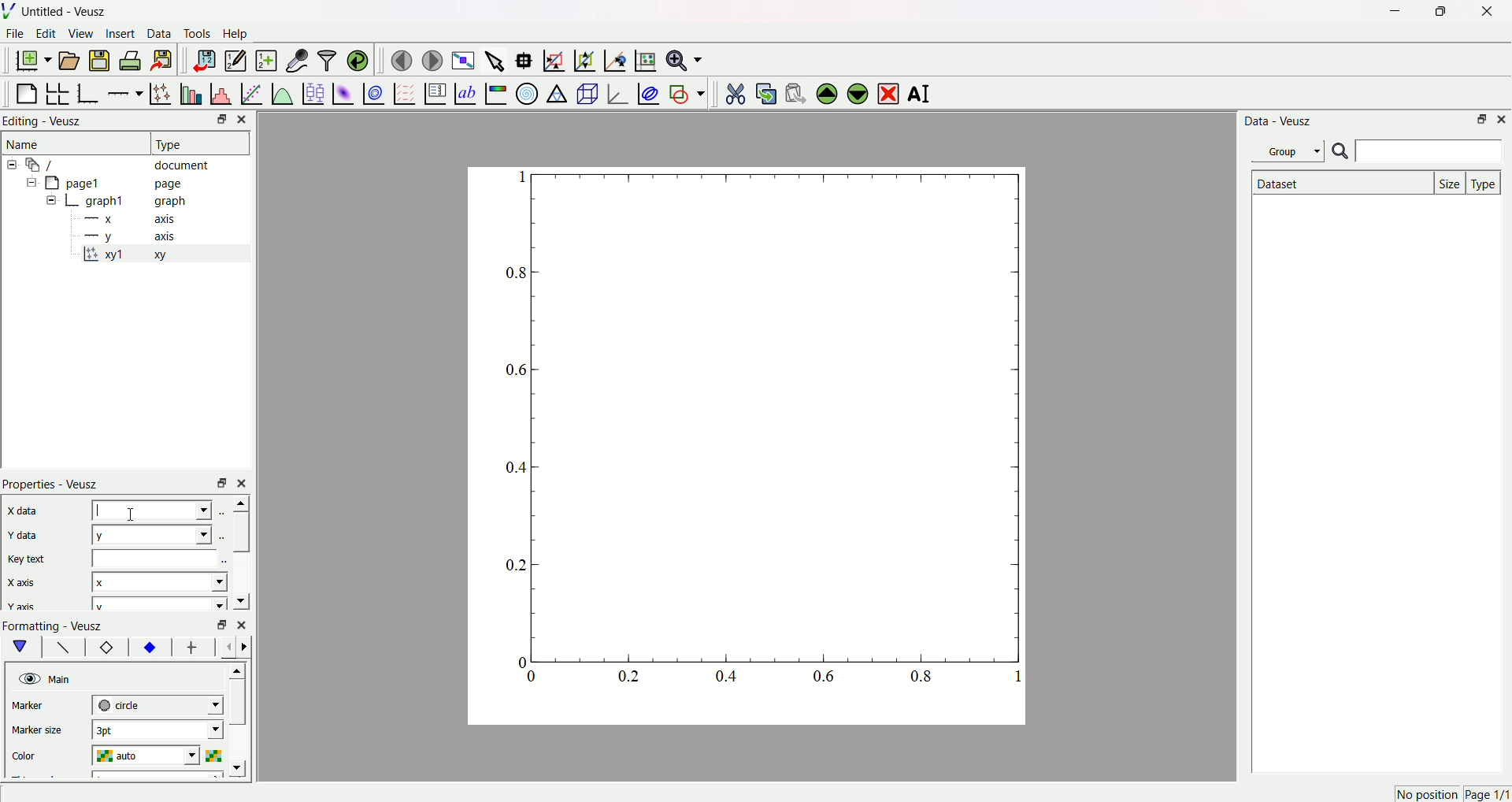  What do you see at coordinates (28, 559) in the screenshot?
I see `Key text` at bounding box center [28, 559].